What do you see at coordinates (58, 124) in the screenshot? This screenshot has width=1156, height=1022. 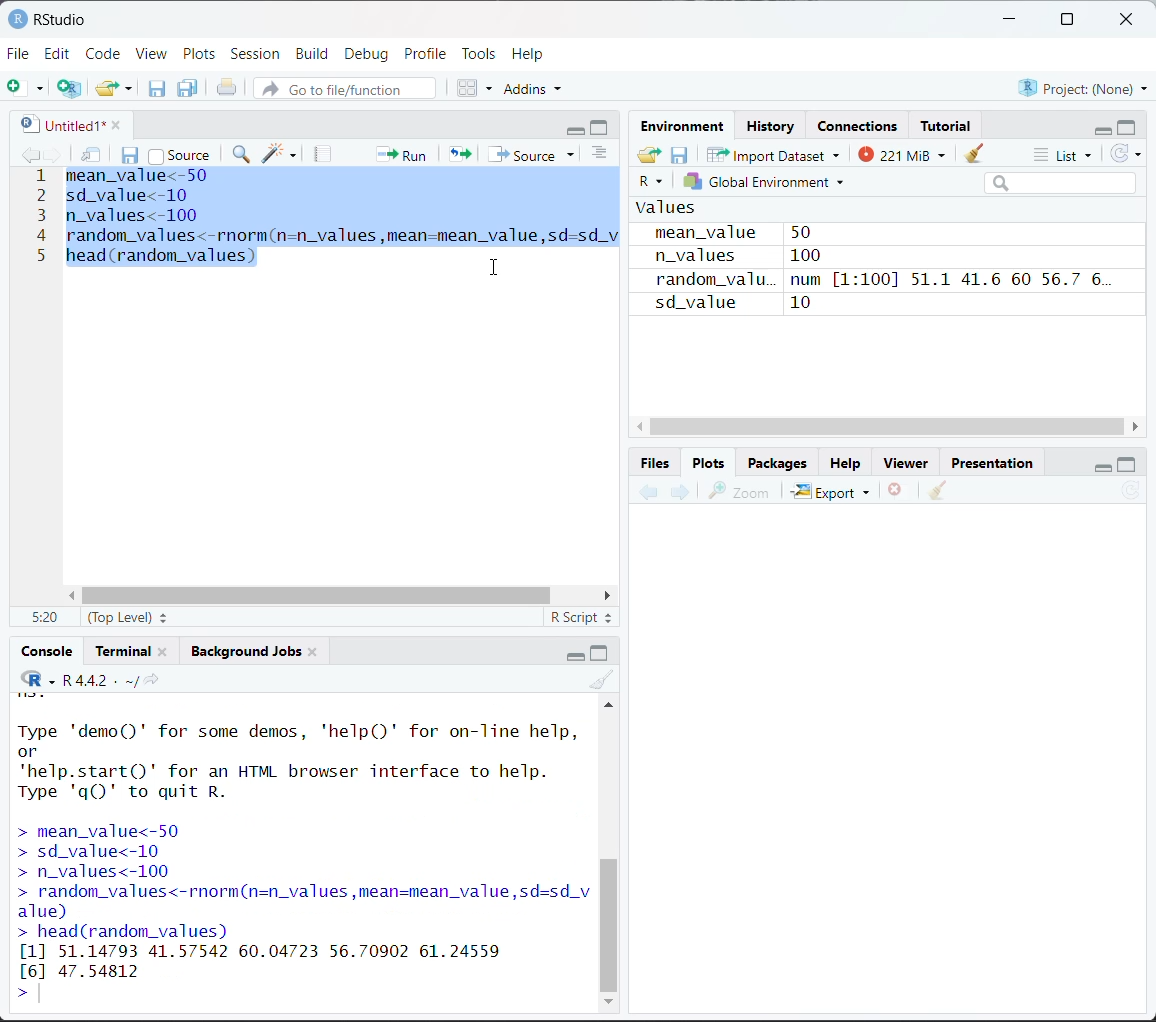 I see `untitled1` at bounding box center [58, 124].